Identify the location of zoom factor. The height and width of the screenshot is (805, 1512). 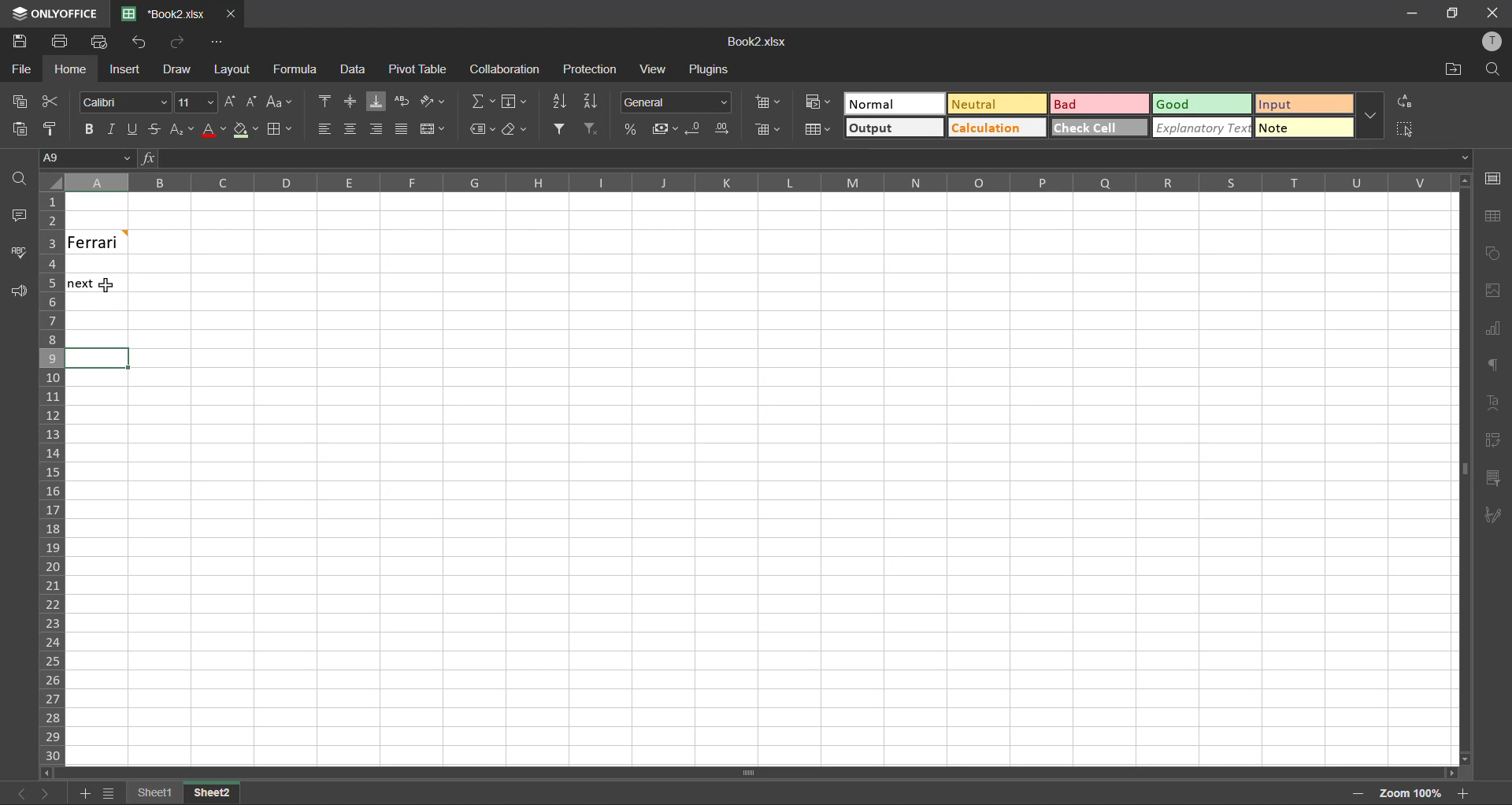
(1412, 792).